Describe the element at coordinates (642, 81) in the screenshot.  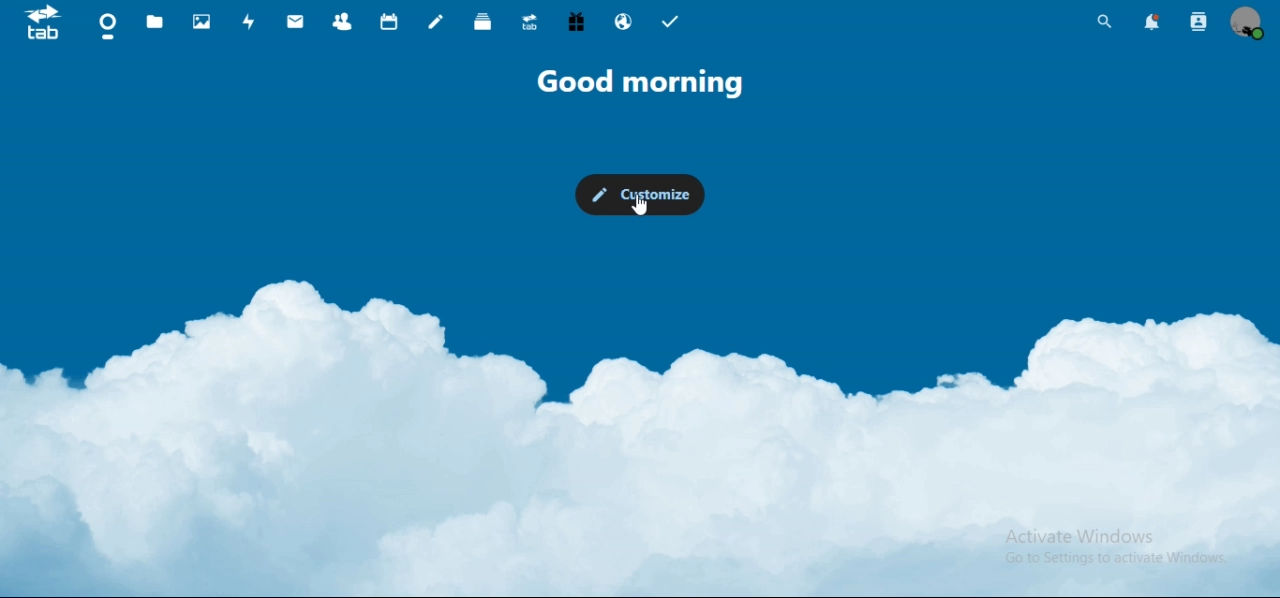
I see `good morning` at that location.